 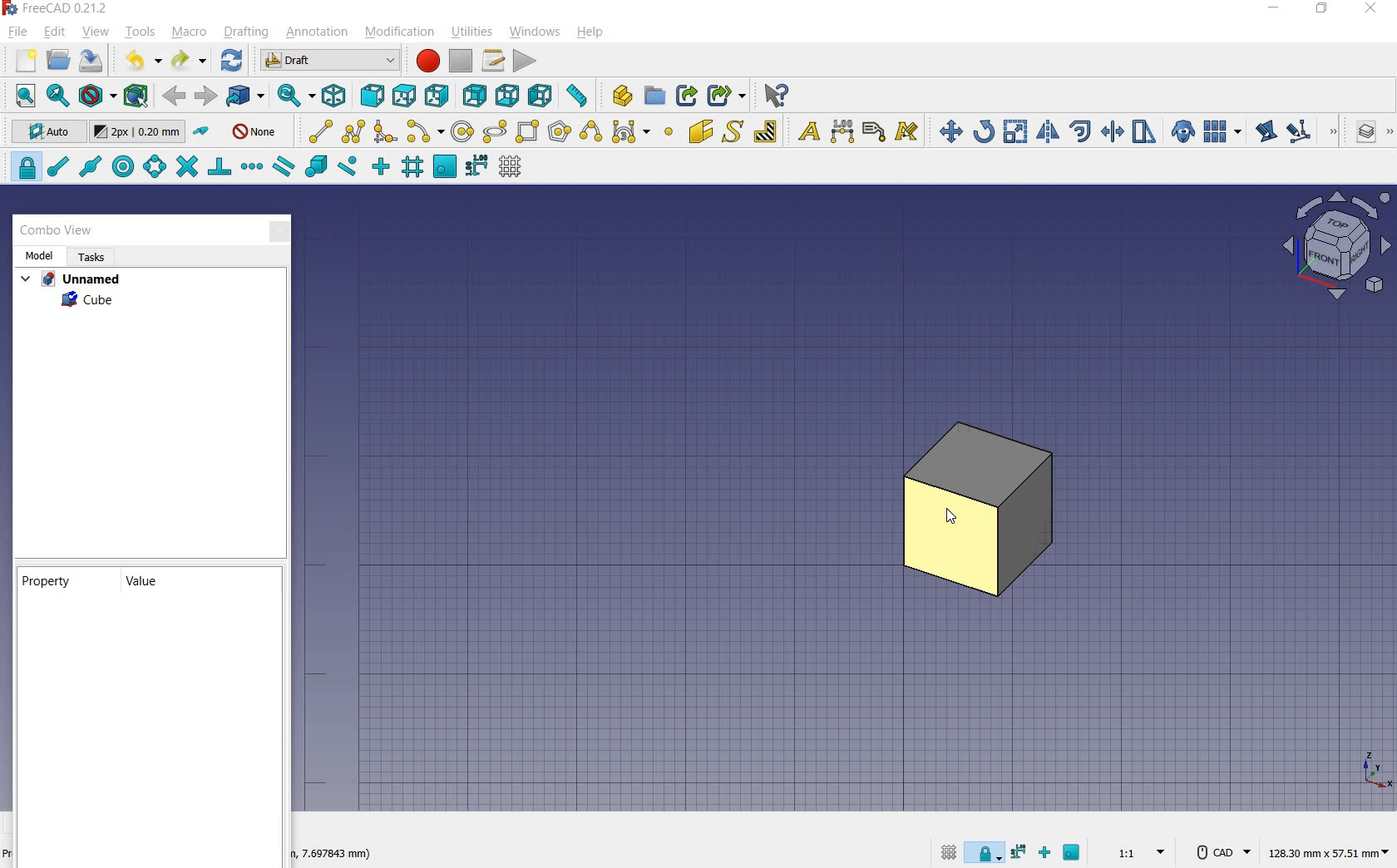 I want to click on snap dimensions, so click(x=1019, y=851).